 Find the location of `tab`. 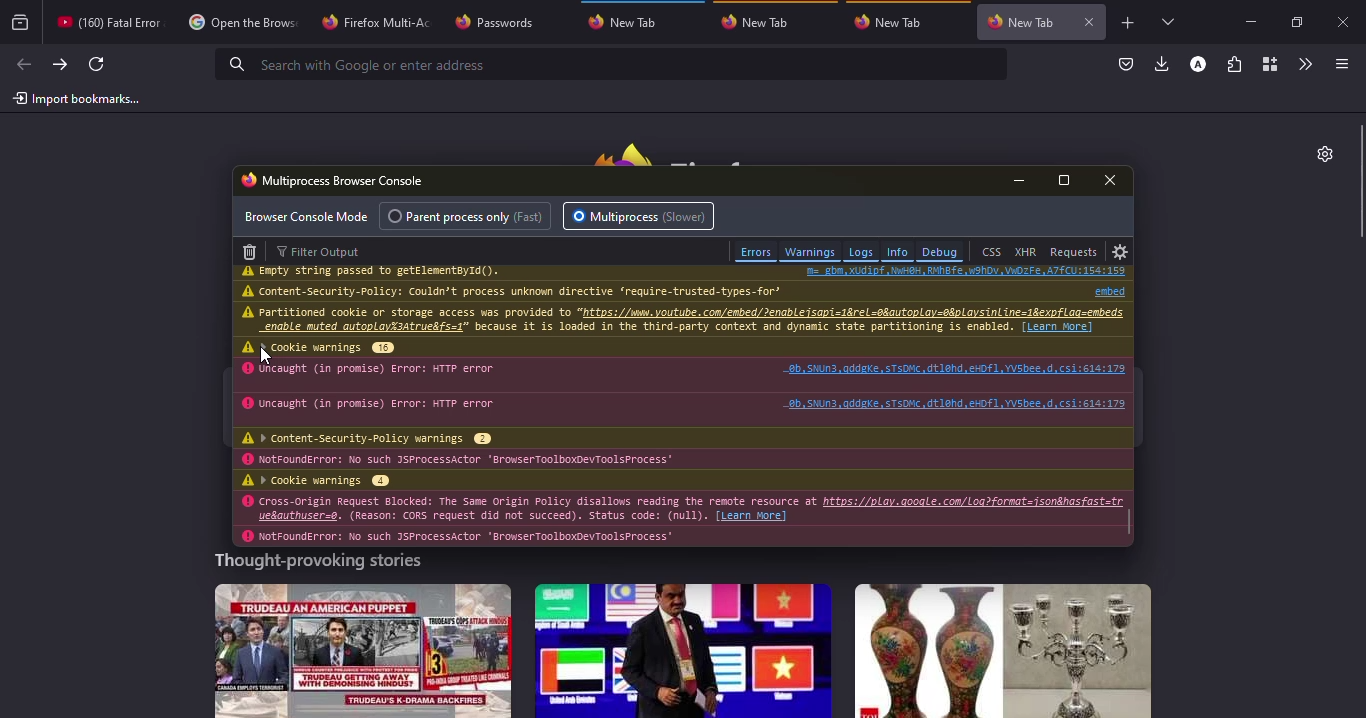

tab is located at coordinates (629, 22).